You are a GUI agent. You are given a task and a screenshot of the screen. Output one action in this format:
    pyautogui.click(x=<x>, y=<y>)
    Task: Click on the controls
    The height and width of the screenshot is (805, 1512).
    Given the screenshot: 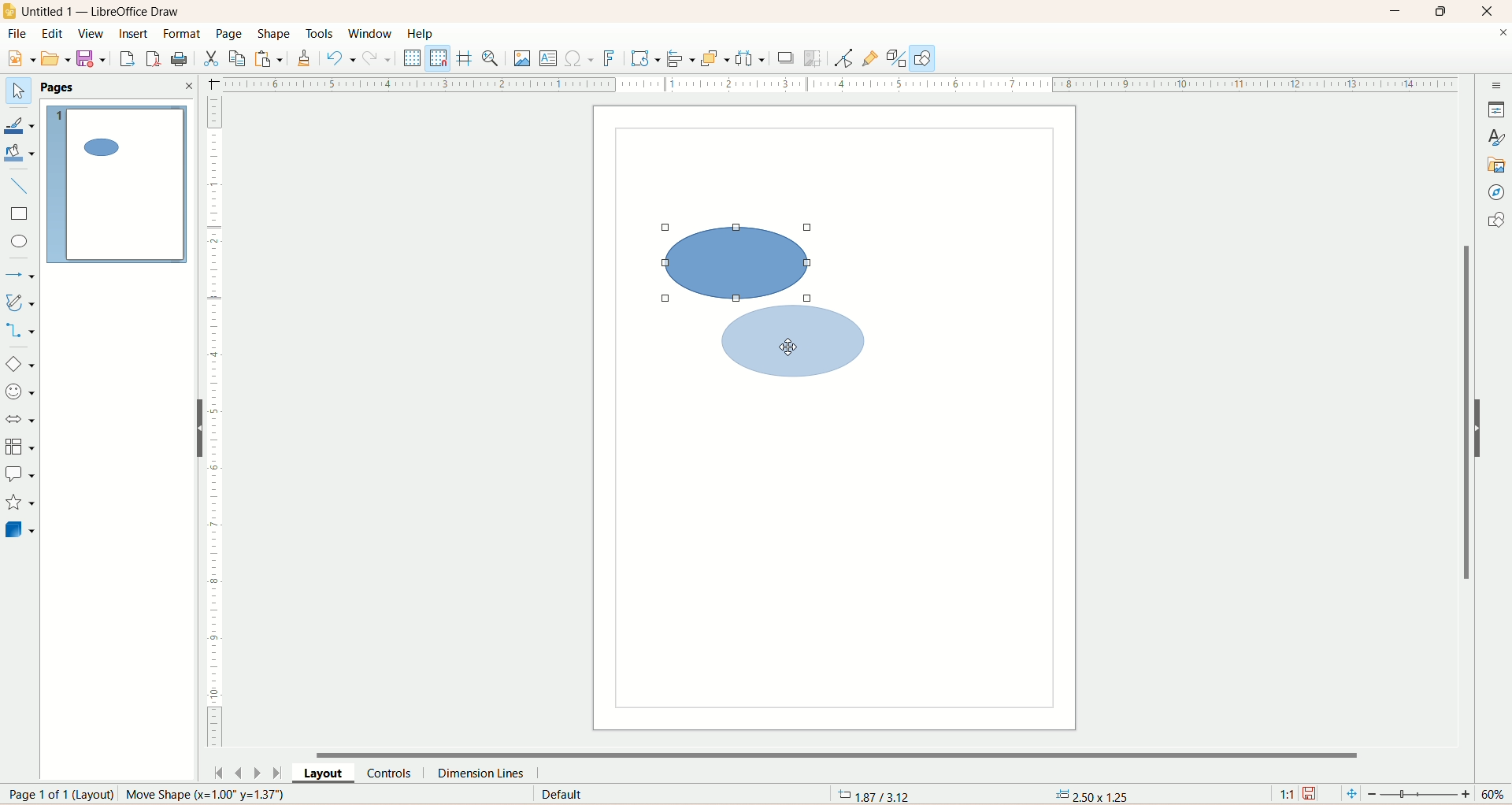 What is the action you would take?
    pyautogui.click(x=393, y=773)
    